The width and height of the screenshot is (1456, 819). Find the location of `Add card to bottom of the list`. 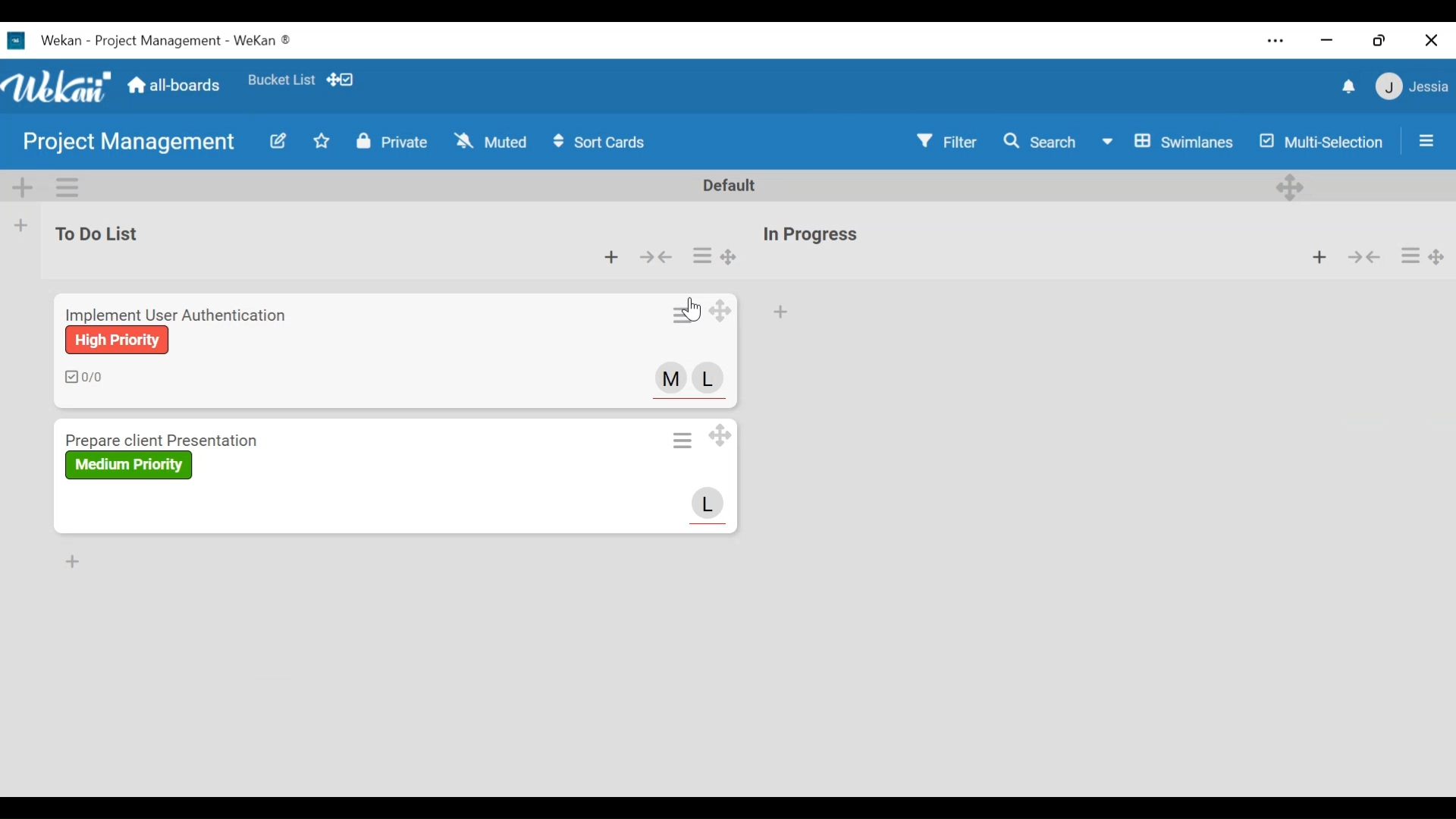

Add card to bottom of the list is located at coordinates (779, 312).